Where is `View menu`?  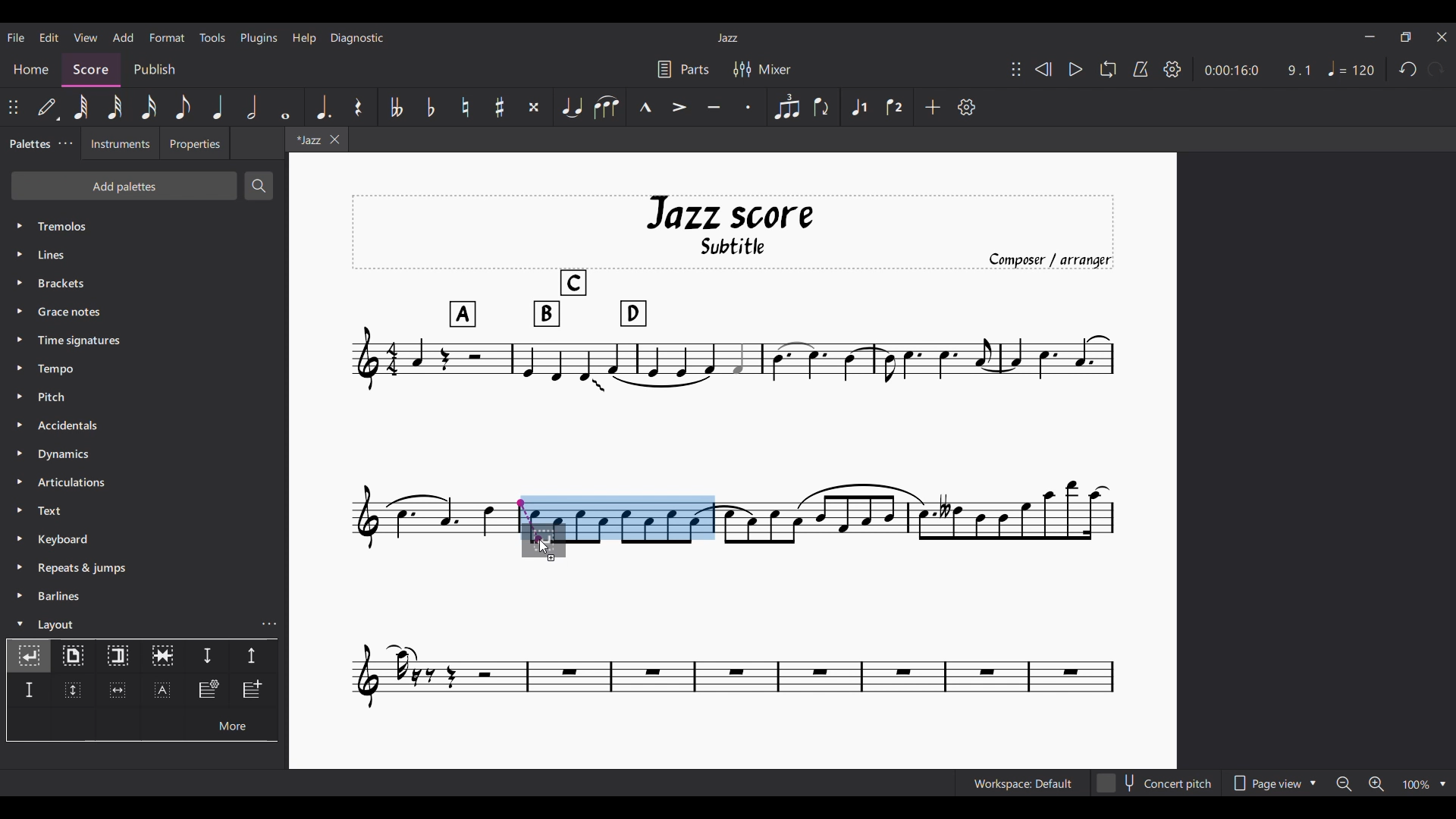
View menu is located at coordinates (86, 37).